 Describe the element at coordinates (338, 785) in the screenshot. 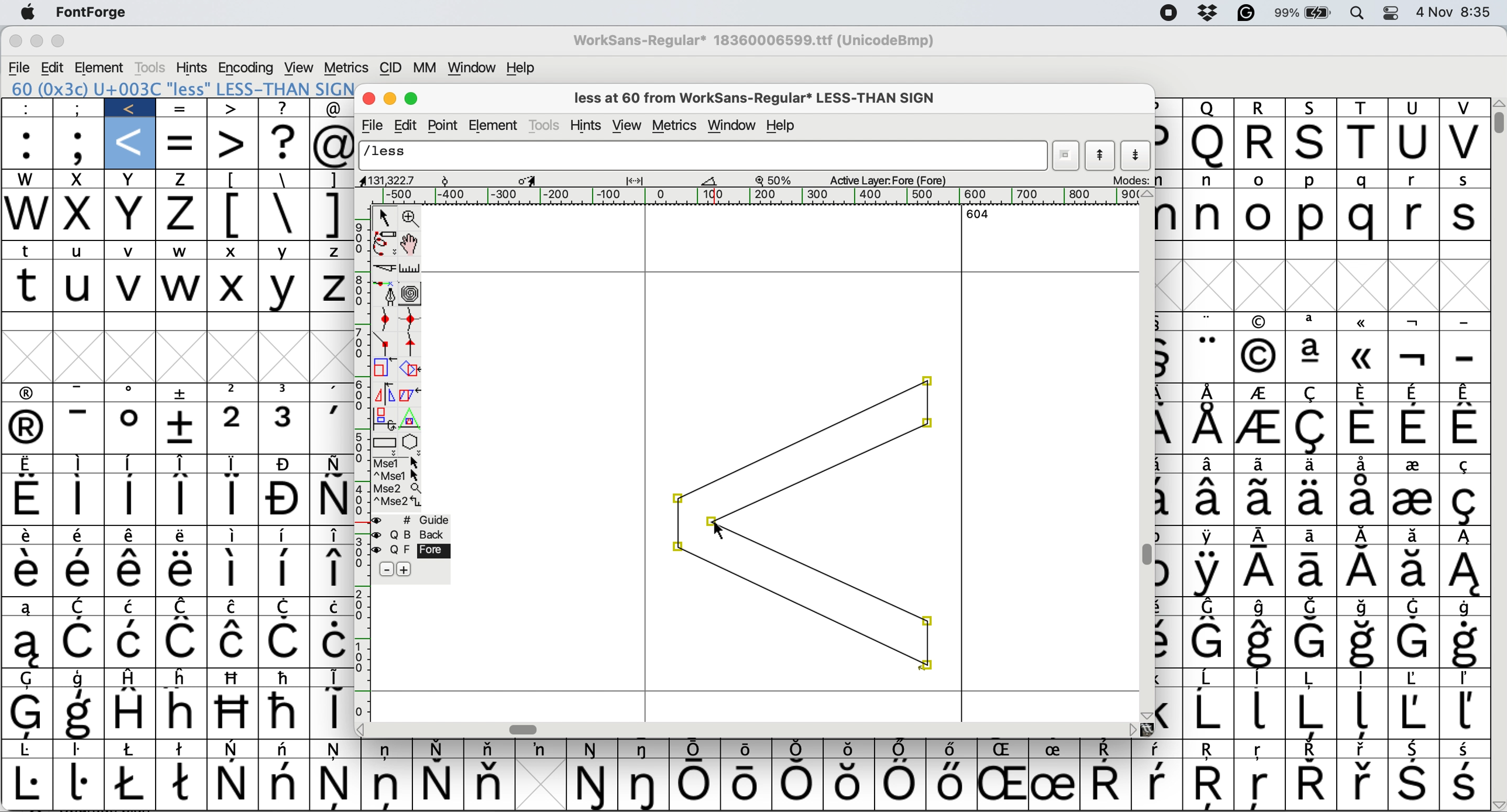

I see `Symbol` at that location.